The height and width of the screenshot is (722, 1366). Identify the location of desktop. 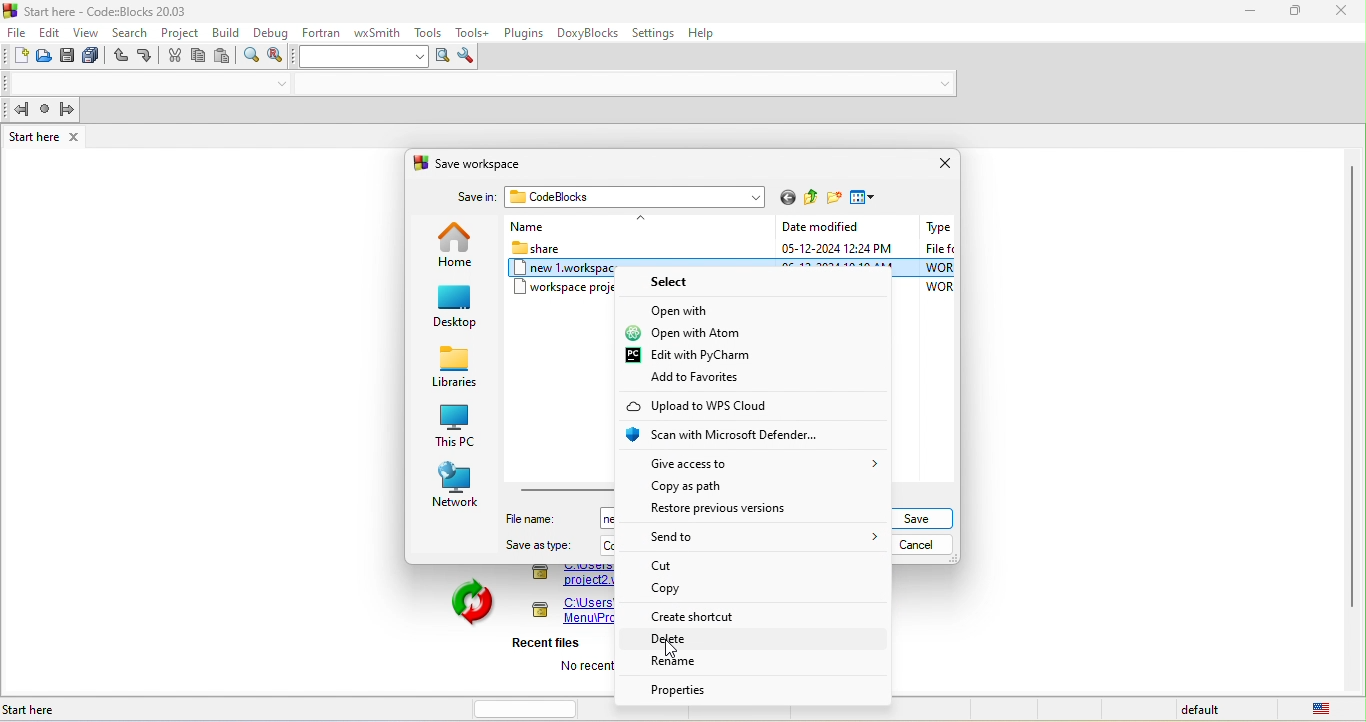
(457, 309).